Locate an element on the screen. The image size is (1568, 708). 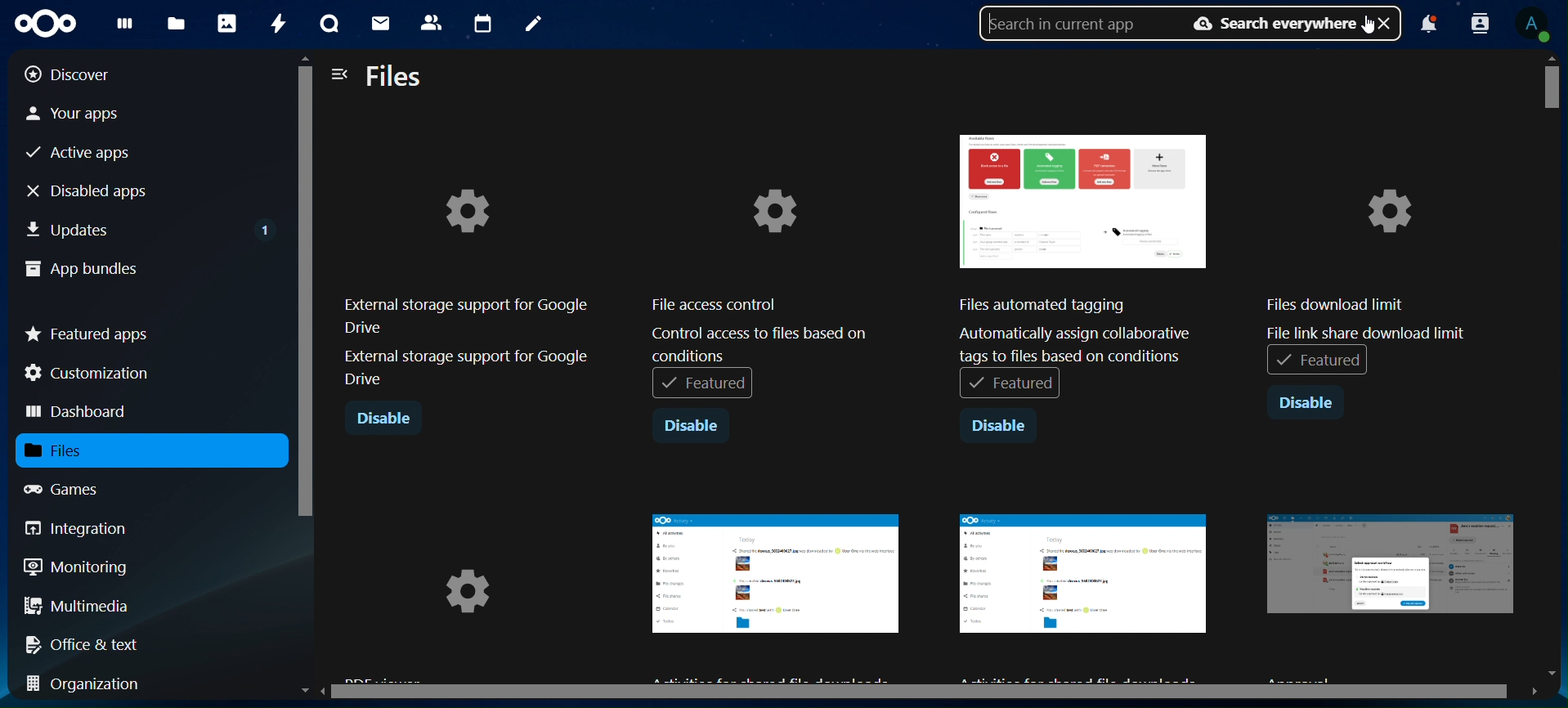
notes is located at coordinates (531, 25).